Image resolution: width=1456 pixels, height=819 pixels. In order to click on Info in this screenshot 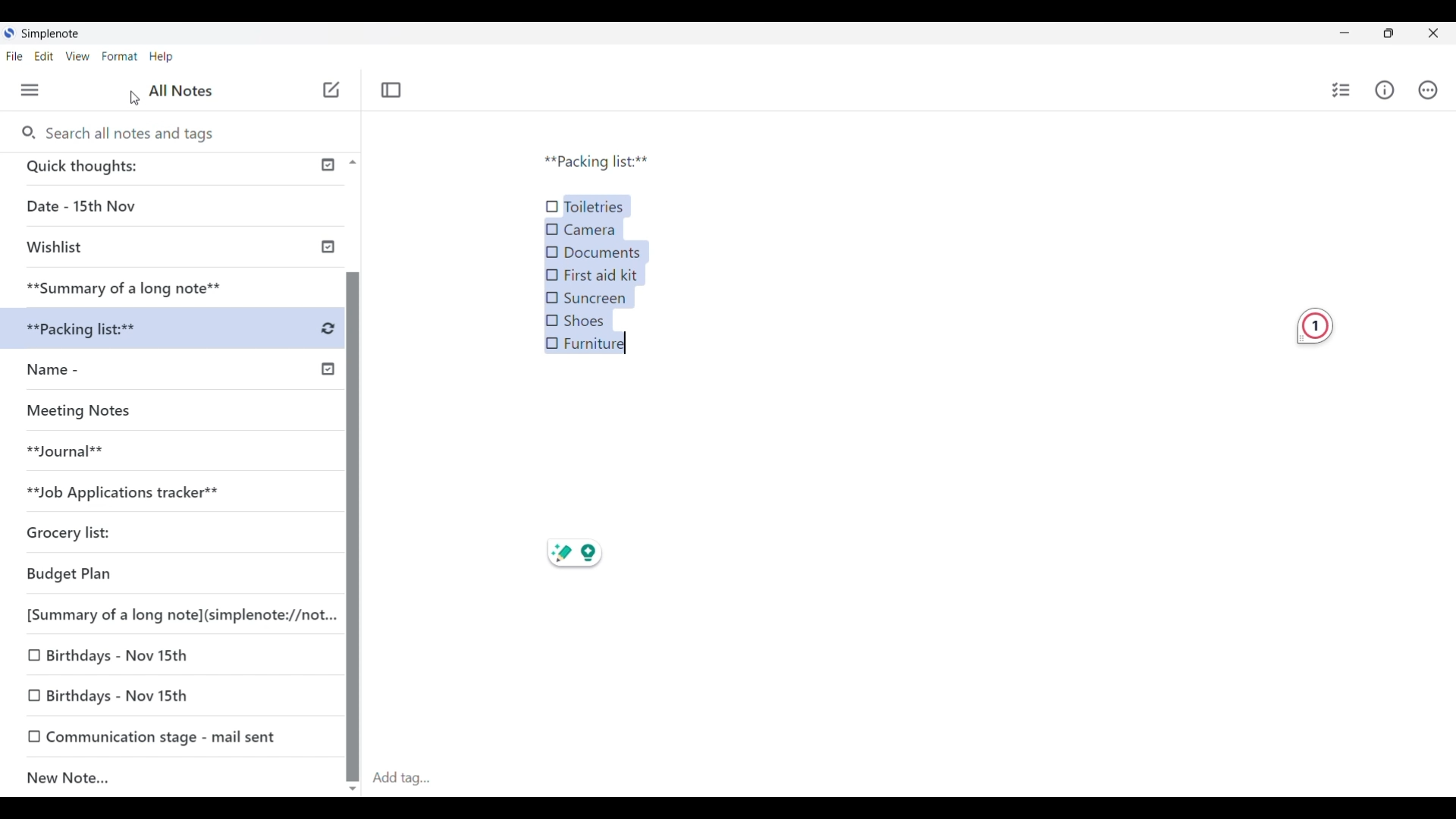, I will do `click(1388, 93)`.